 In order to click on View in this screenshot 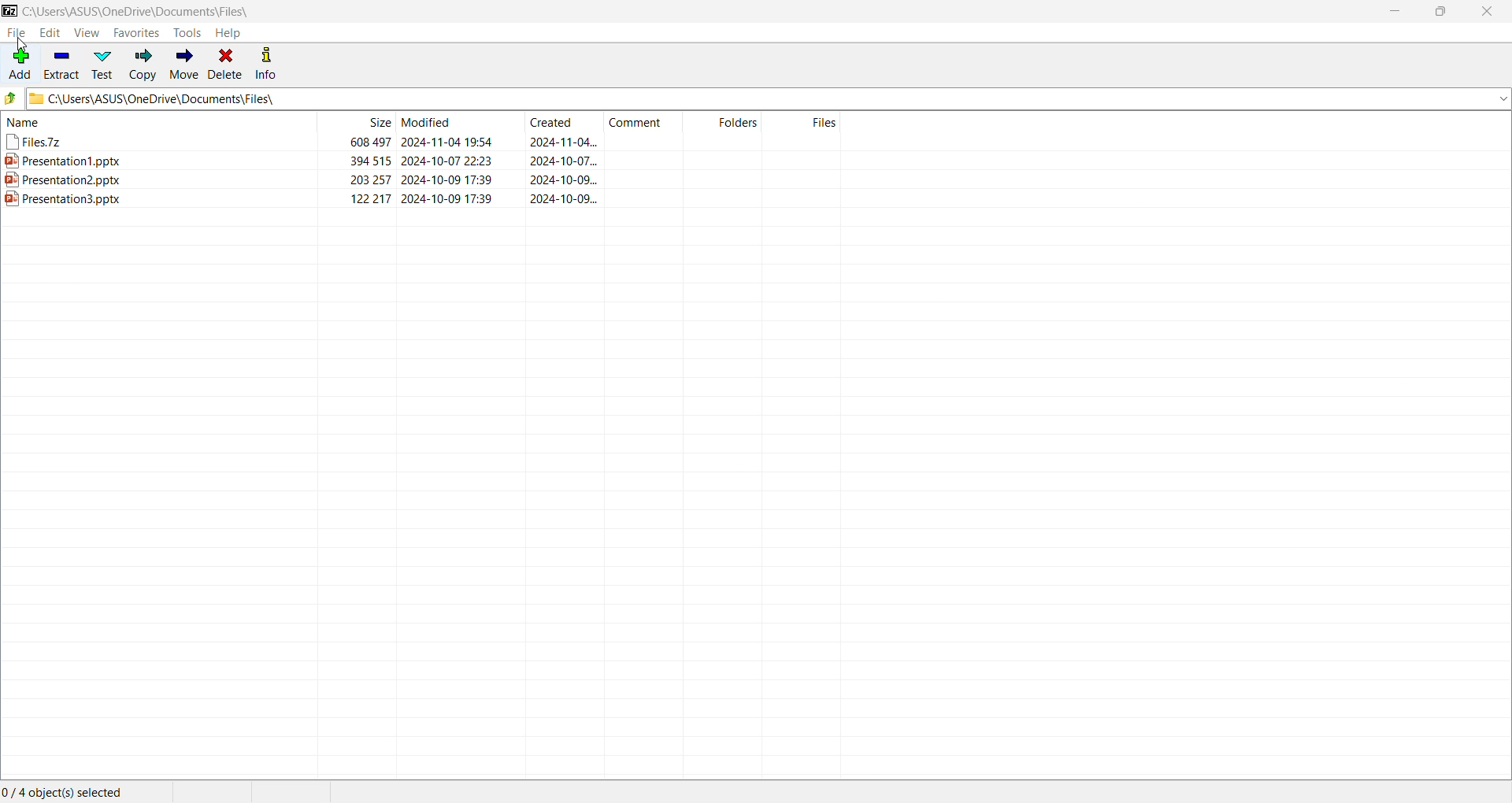, I will do `click(88, 34)`.